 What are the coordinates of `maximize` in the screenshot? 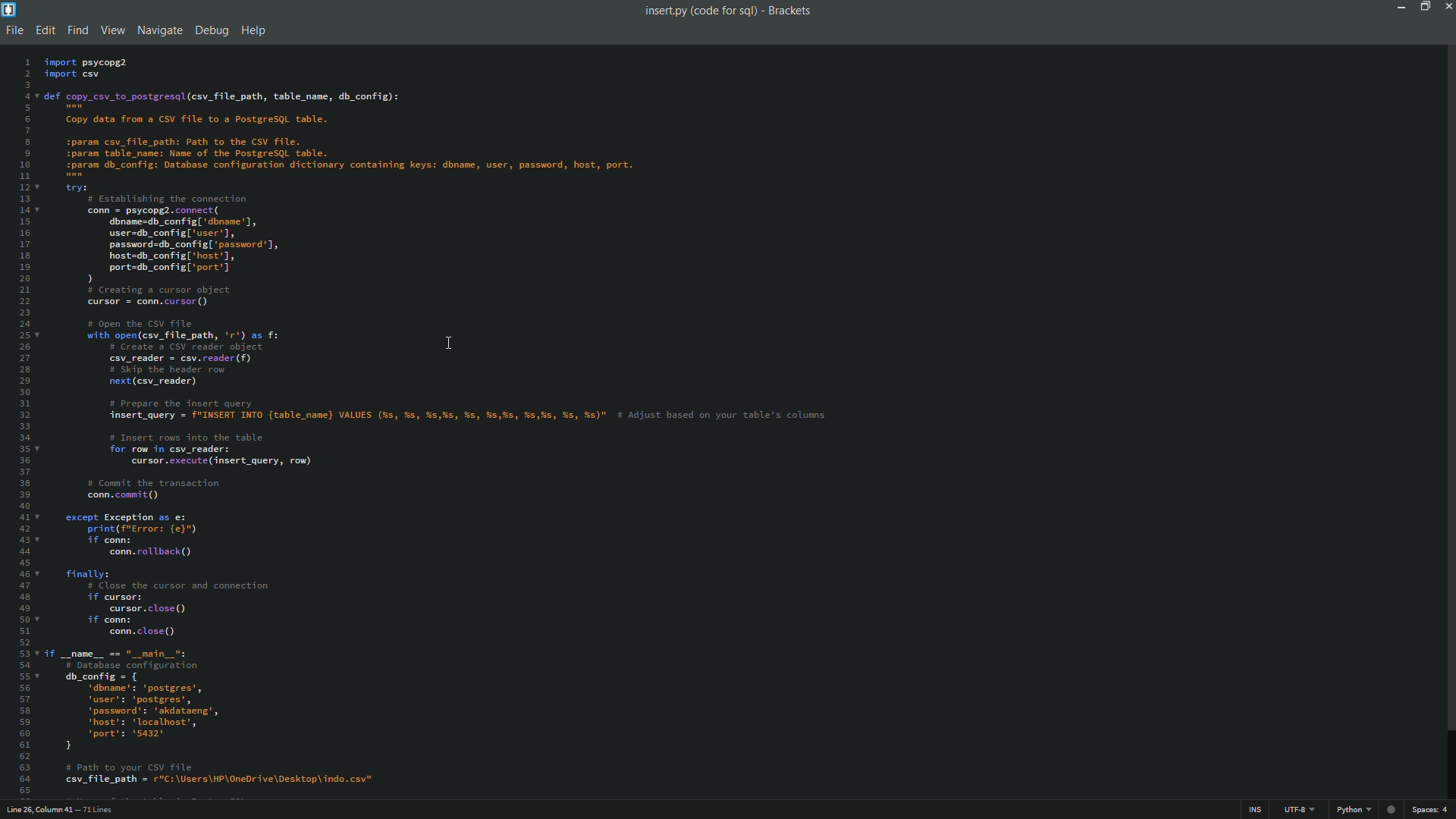 It's located at (1424, 6).